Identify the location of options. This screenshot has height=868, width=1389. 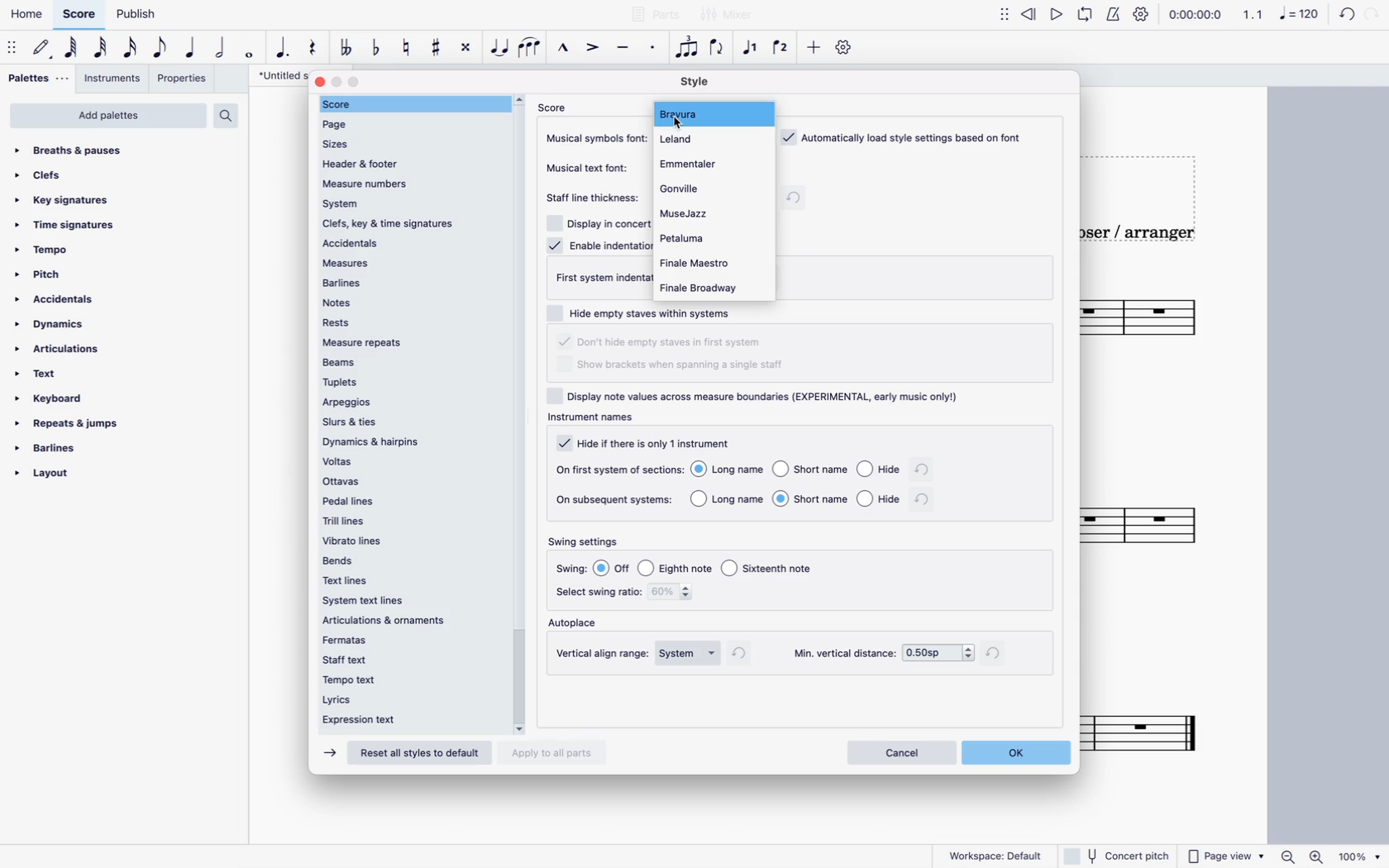
(711, 567).